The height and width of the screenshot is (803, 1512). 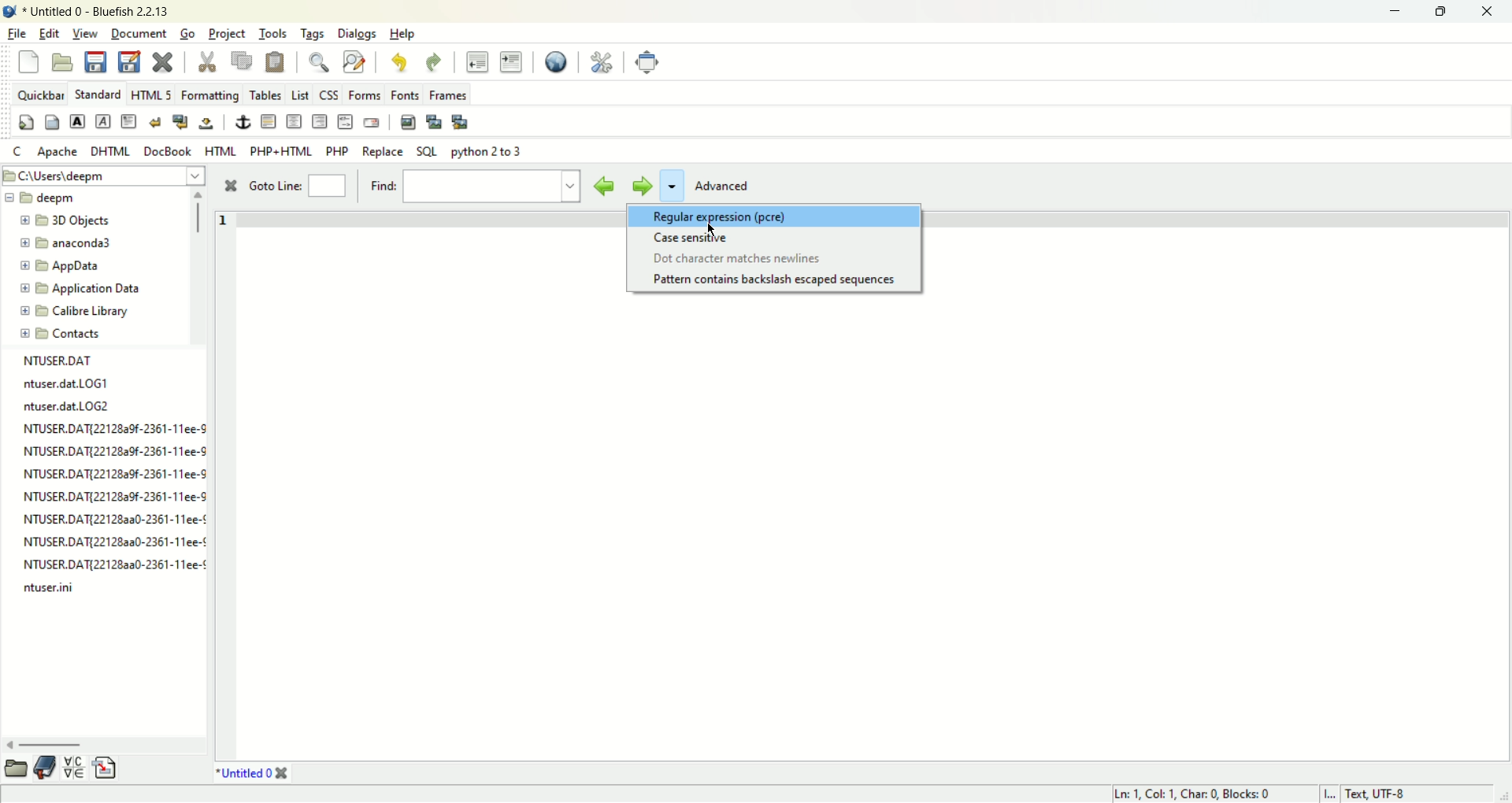 I want to click on paragraph, so click(x=128, y=121).